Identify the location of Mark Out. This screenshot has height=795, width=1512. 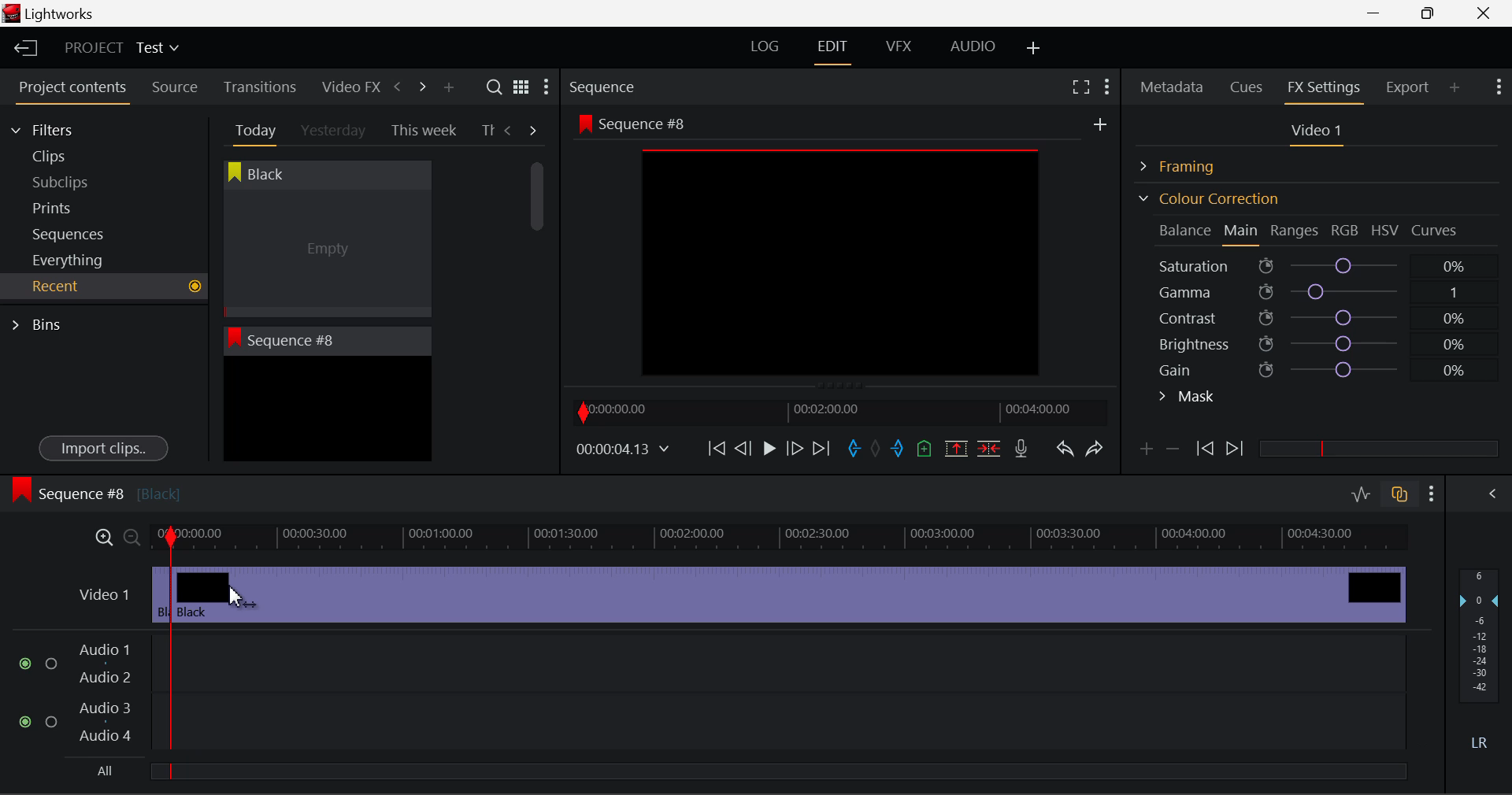
(899, 449).